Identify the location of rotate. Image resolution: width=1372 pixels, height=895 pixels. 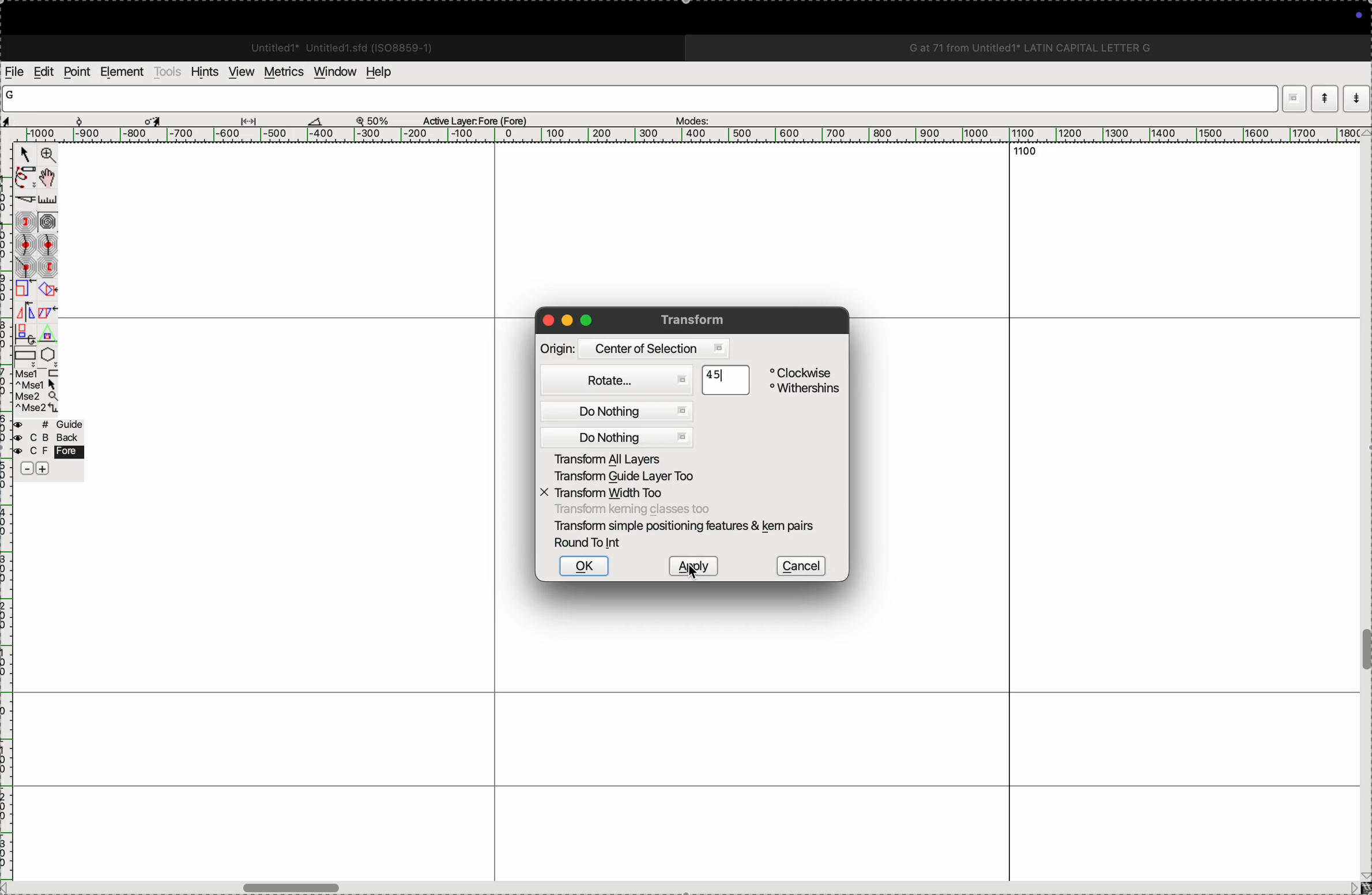
(47, 291).